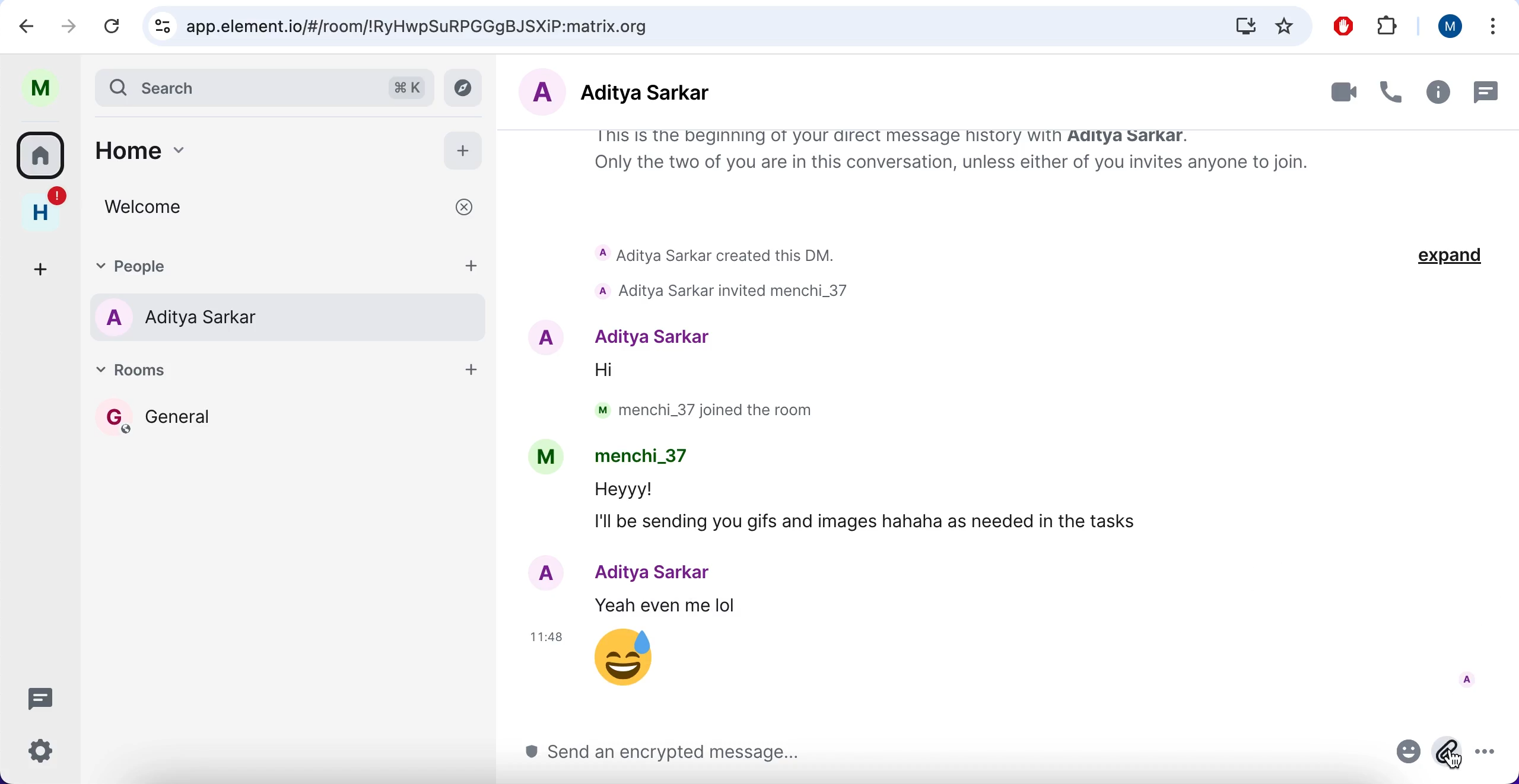  Describe the element at coordinates (725, 27) in the screenshot. I see `google search` at that location.